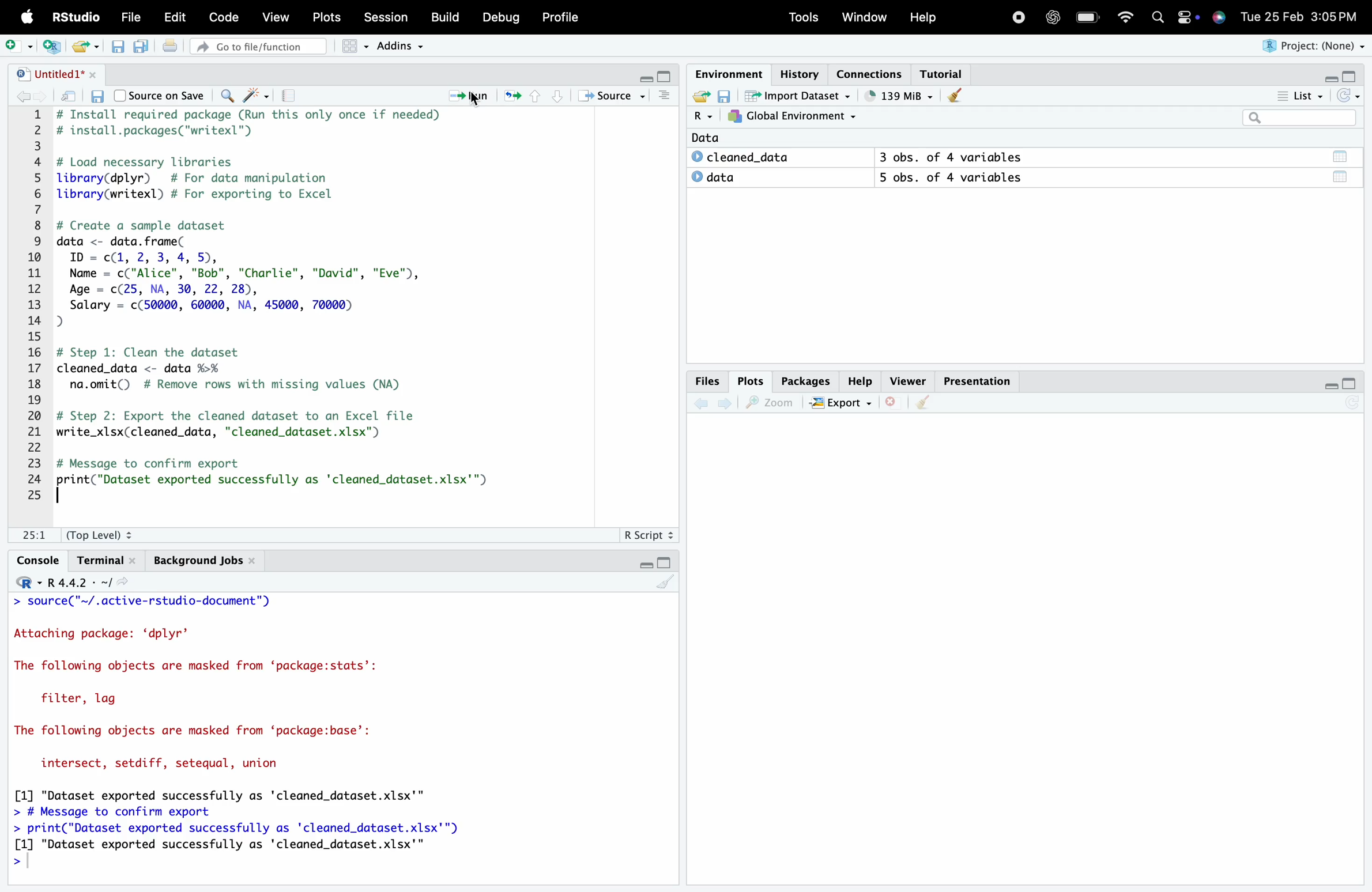 Image resolution: width=1372 pixels, height=892 pixels. Describe the element at coordinates (280, 307) in the screenshot. I see `# Install required package (Run this only once if needed)
# install.packages("writexl")
# Load necessary libraries
library(dplyr) # For data manipulation
library(writexl) # For exporting to Excel
# Create a sample dataset
data <- data. frame(
ID = c(1, 2, 3, 4, 5),
Name = c("Alice", "Bob", "Charlie", "David", "Eve"),
Age = c(25, NA, 30, 22, 28),
Salary = c(50000, 60000, NA, 45000, 70000)
D)
# Step 1: Clean the dataset
cleaned_data <- data %>%
na.omit() # Remove rows with missing values (NA)
# Step 2: Export the cleaned dataset to an Excel file
write_xlsx(cleaned_data, "cleaned_dataset.xlsx")
# Message to confirm export
print("Dataset exported successfully as 'cleaned_dataset.xlsx'")` at that location.